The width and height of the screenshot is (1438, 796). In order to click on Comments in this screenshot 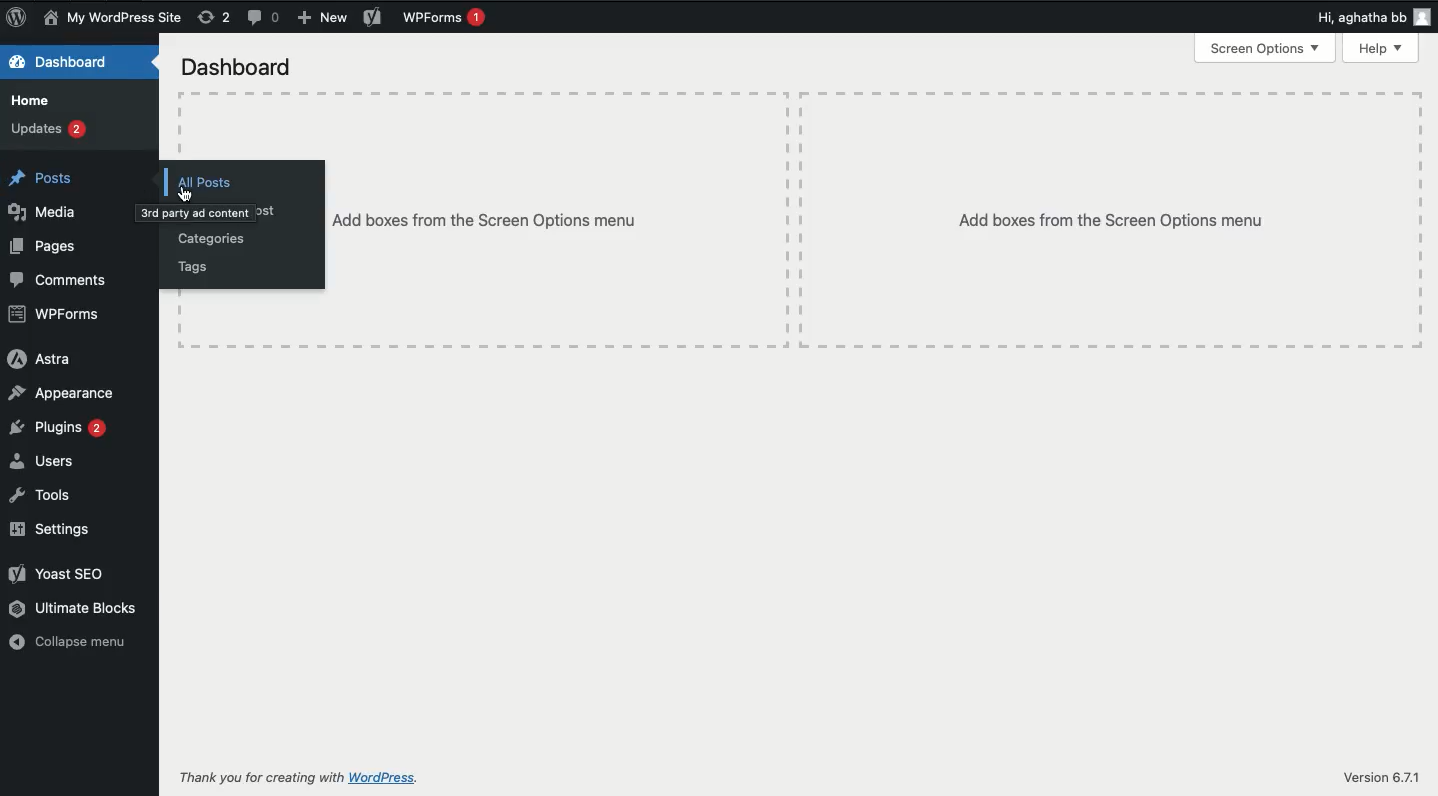, I will do `click(57, 279)`.